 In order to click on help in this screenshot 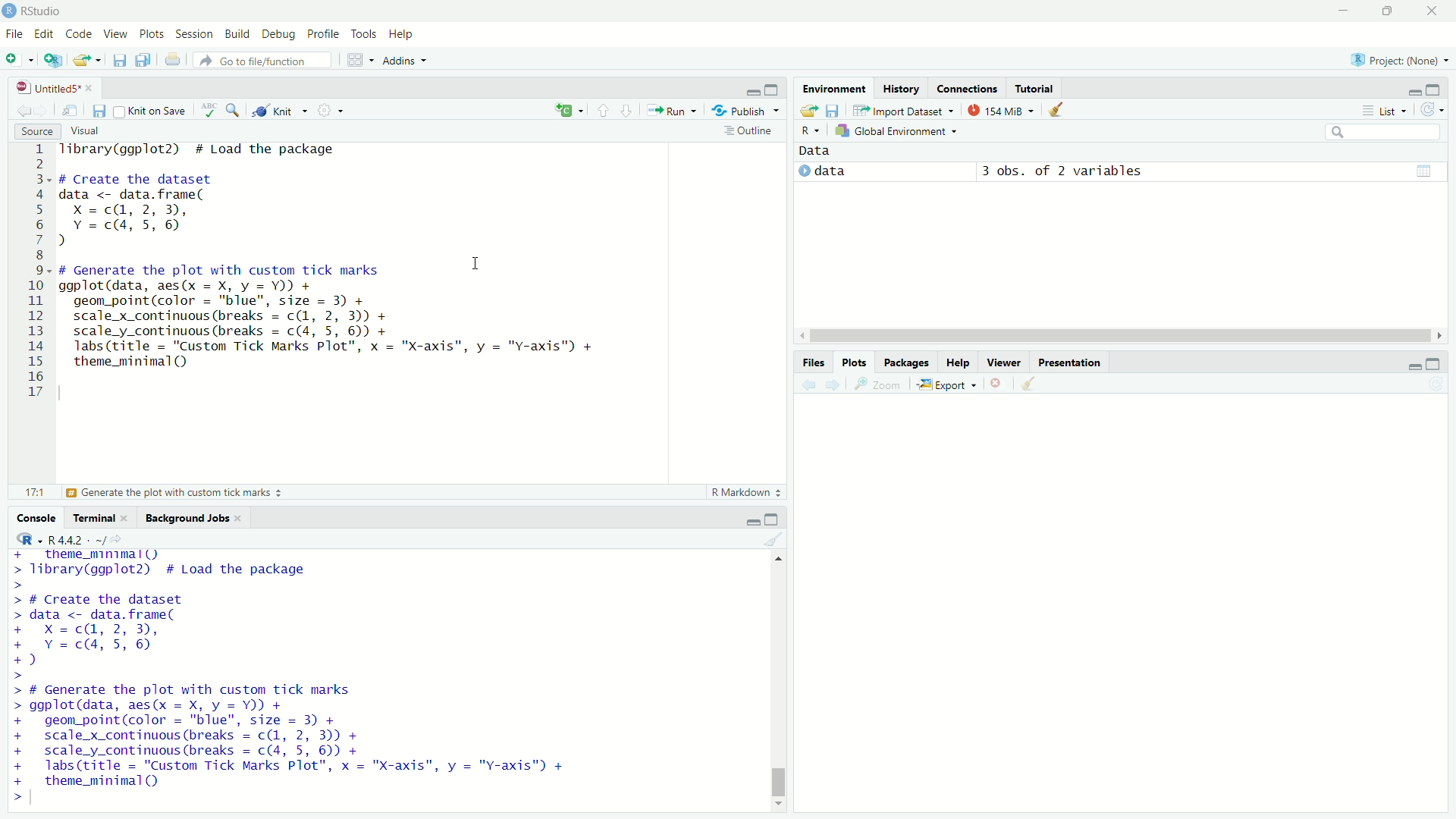, I will do `click(959, 361)`.